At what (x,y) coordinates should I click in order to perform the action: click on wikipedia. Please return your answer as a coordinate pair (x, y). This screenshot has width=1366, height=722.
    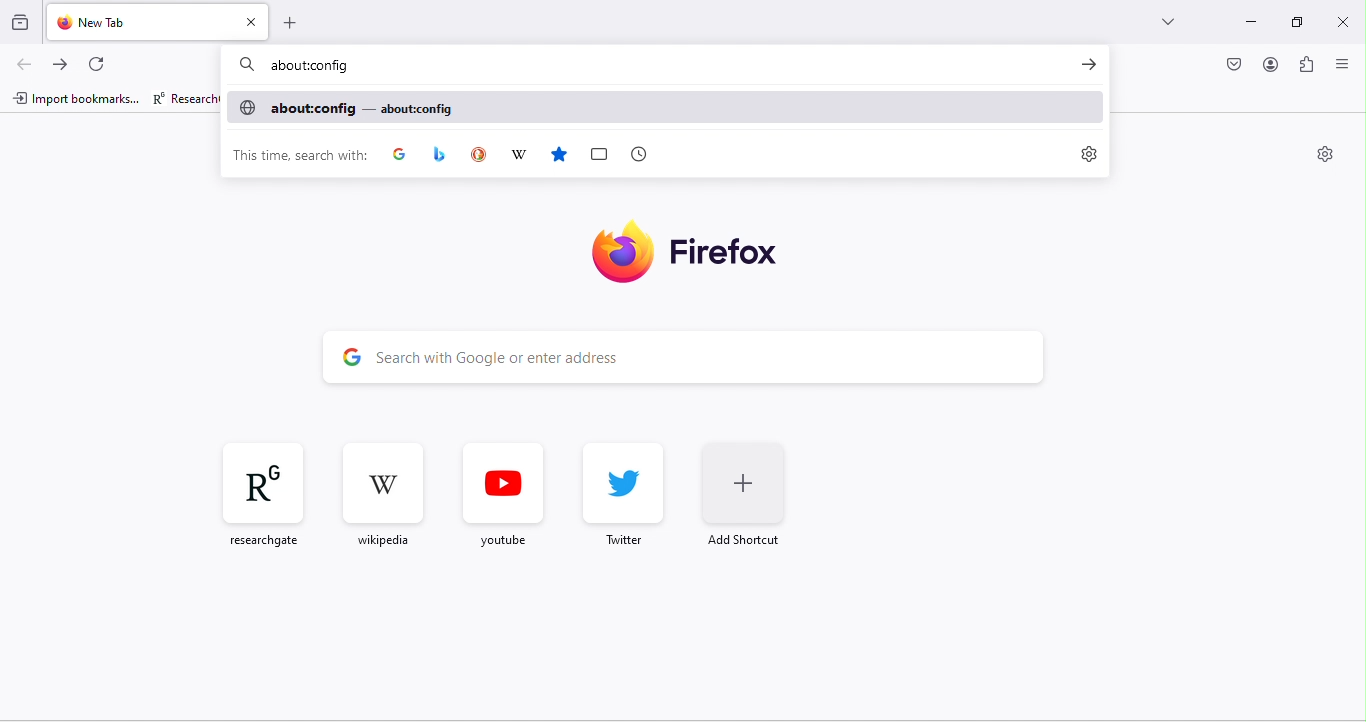
    Looking at the image, I should click on (523, 152).